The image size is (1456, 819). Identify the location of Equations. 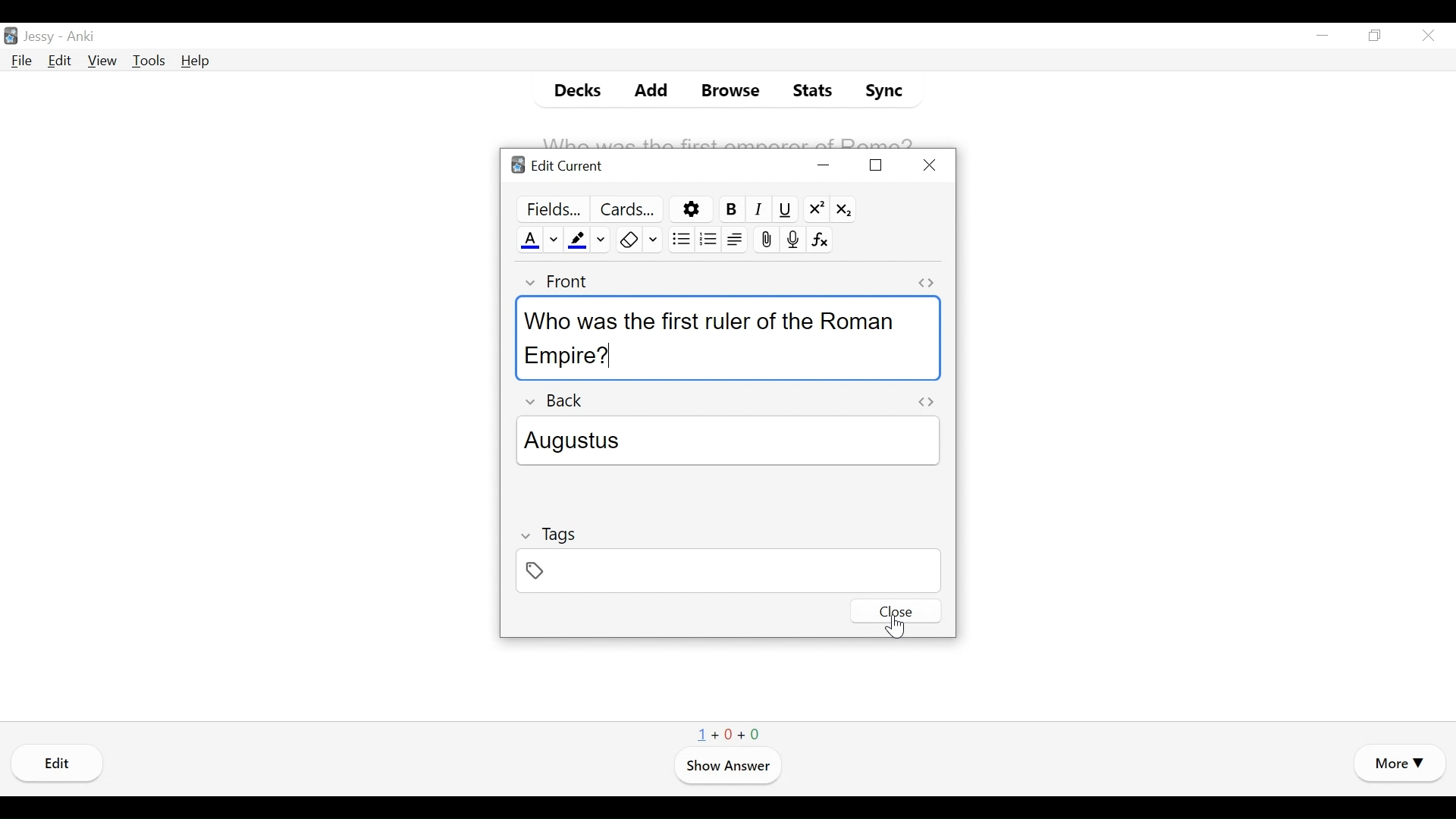
(821, 240).